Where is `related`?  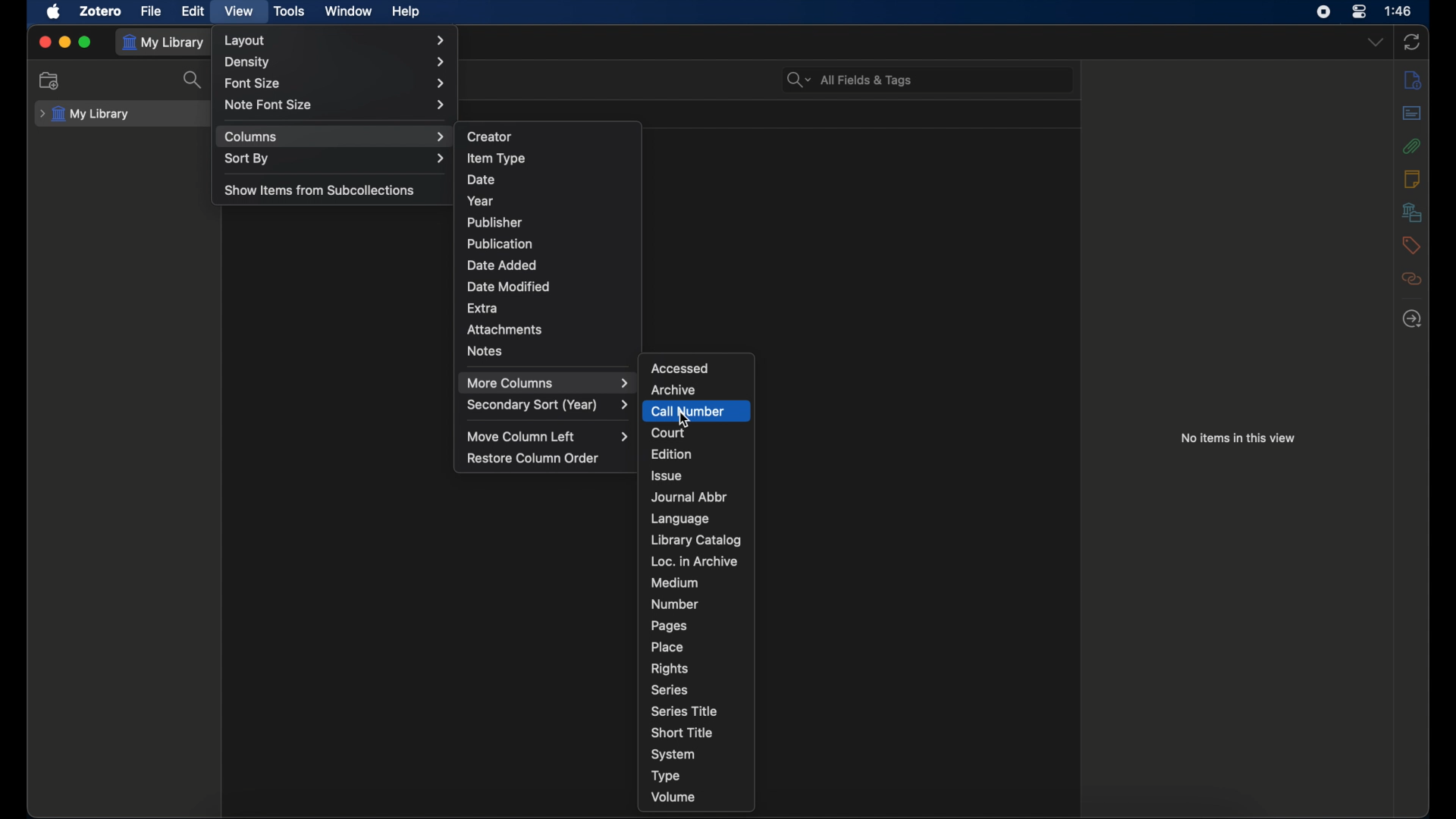
related is located at coordinates (1410, 278).